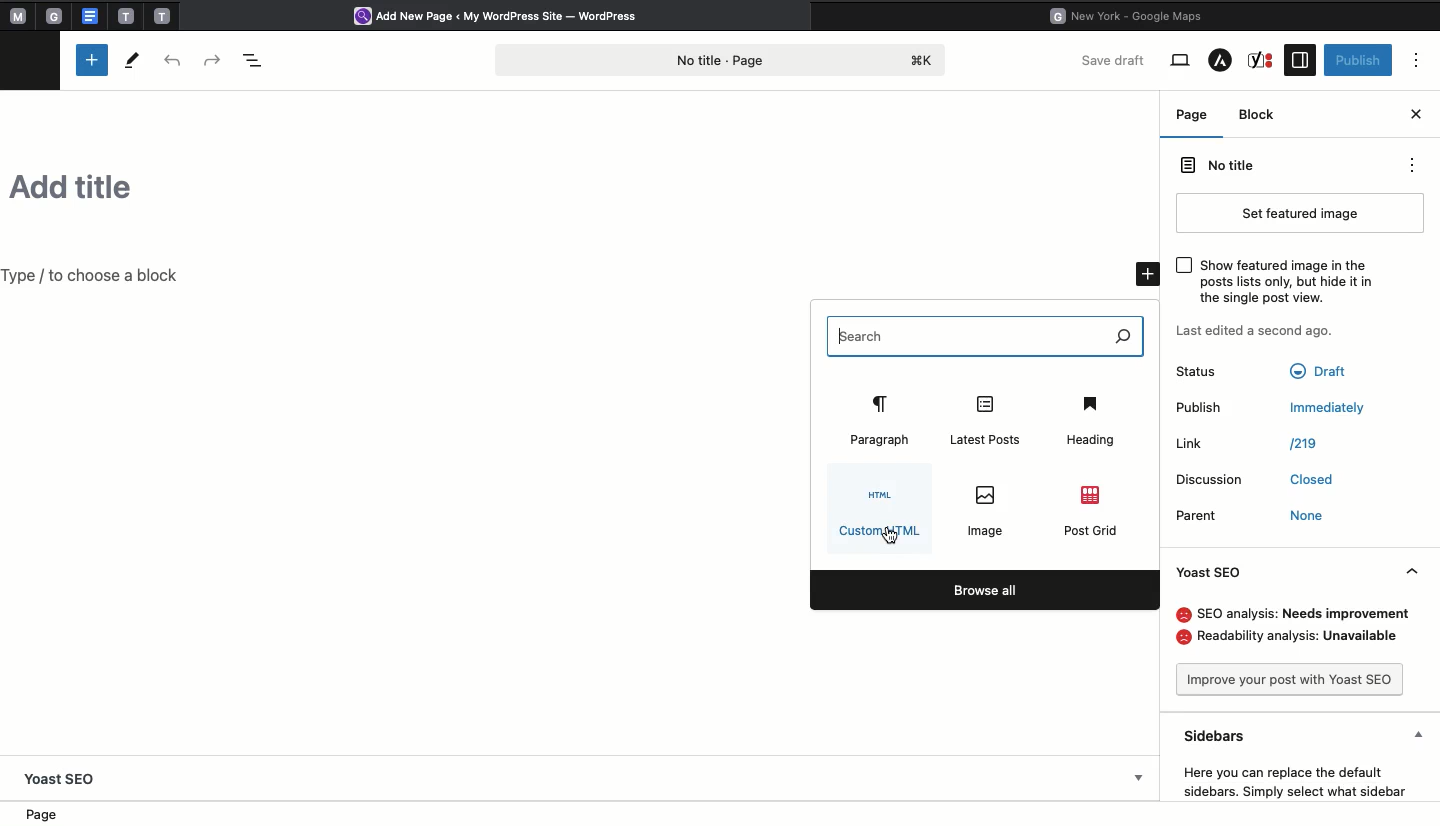 This screenshot has width=1440, height=826. What do you see at coordinates (57, 16) in the screenshot?
I see `tab` at bounding box center [57, 16].